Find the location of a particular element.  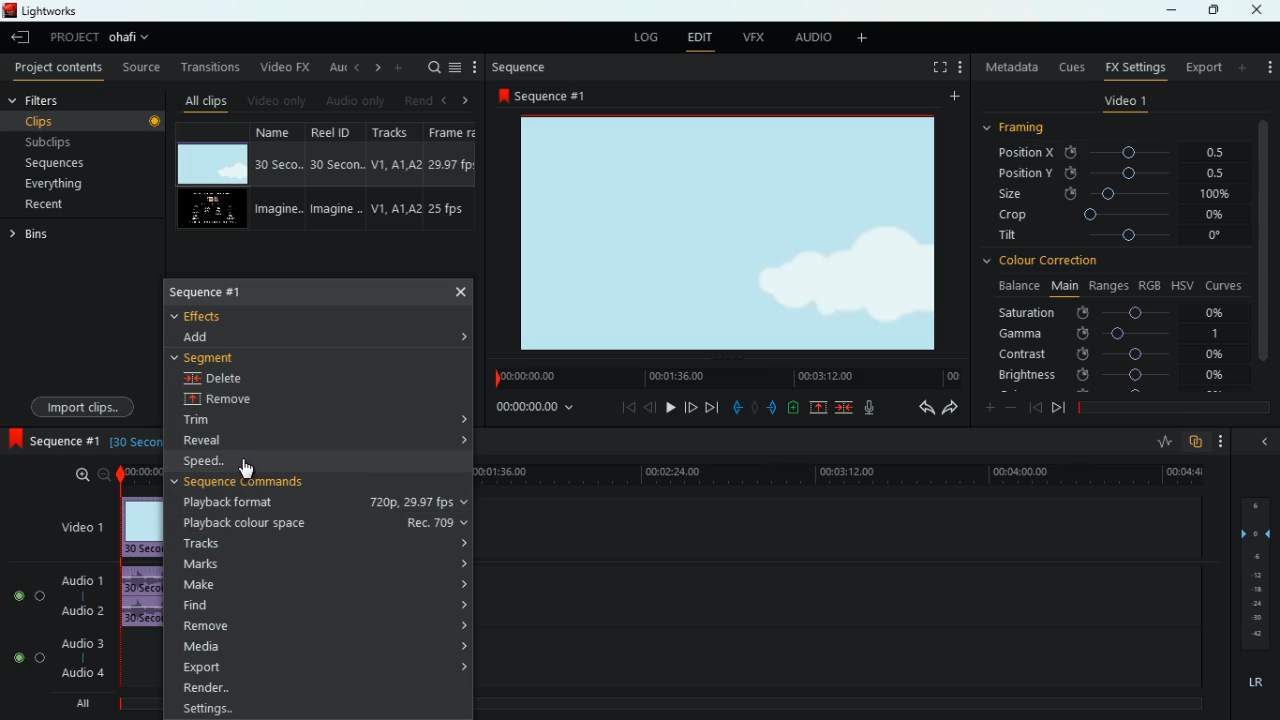

mic is located at coordinates (866, 408).